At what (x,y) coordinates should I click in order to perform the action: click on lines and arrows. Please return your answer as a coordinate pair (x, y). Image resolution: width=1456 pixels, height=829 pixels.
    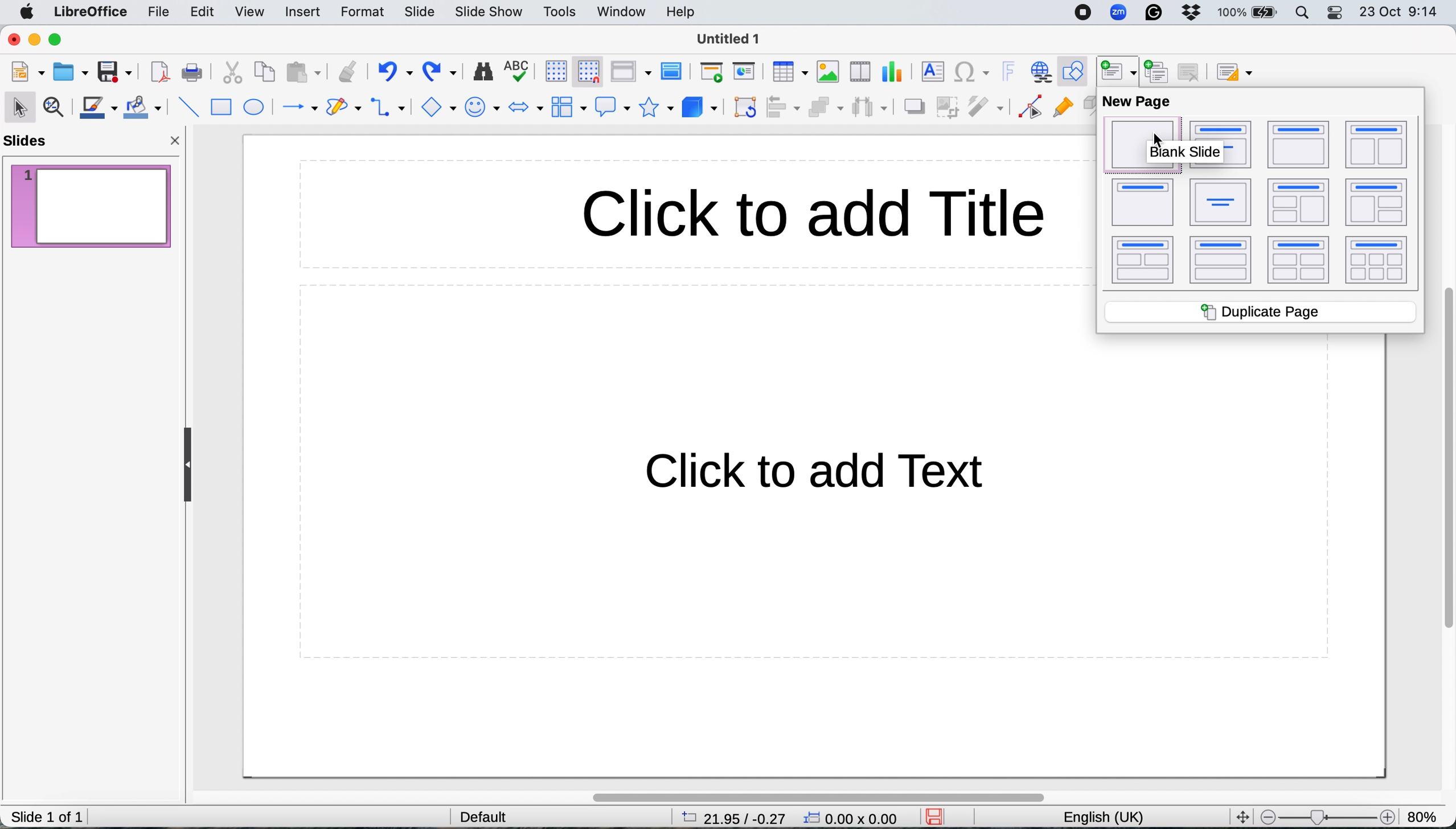
    Looking at the image, I should click on (296, 108).